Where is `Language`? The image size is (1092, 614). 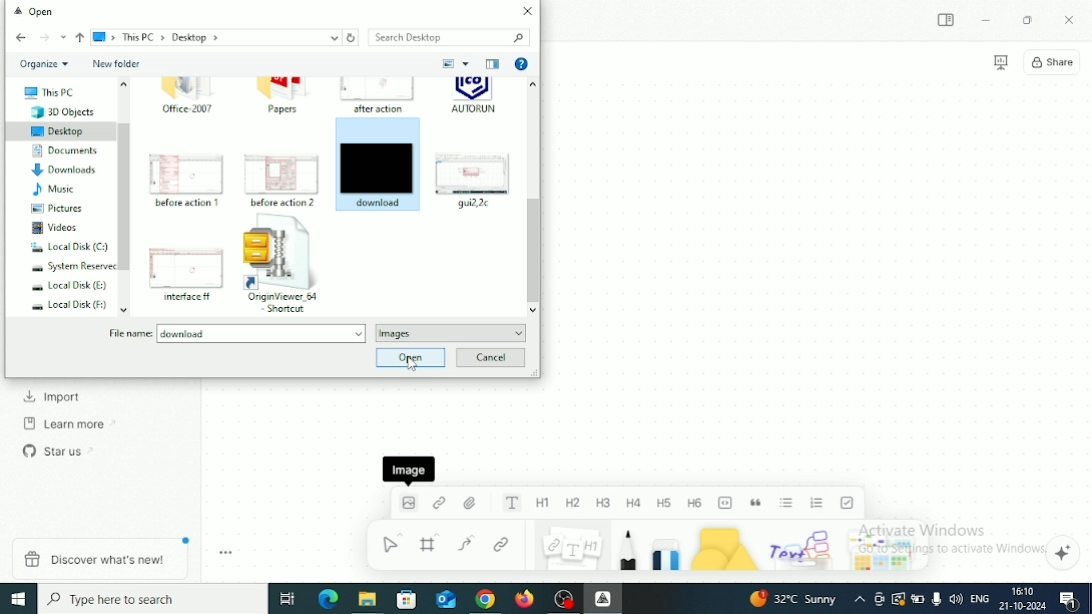 Language is located at coordinates (980, 597).